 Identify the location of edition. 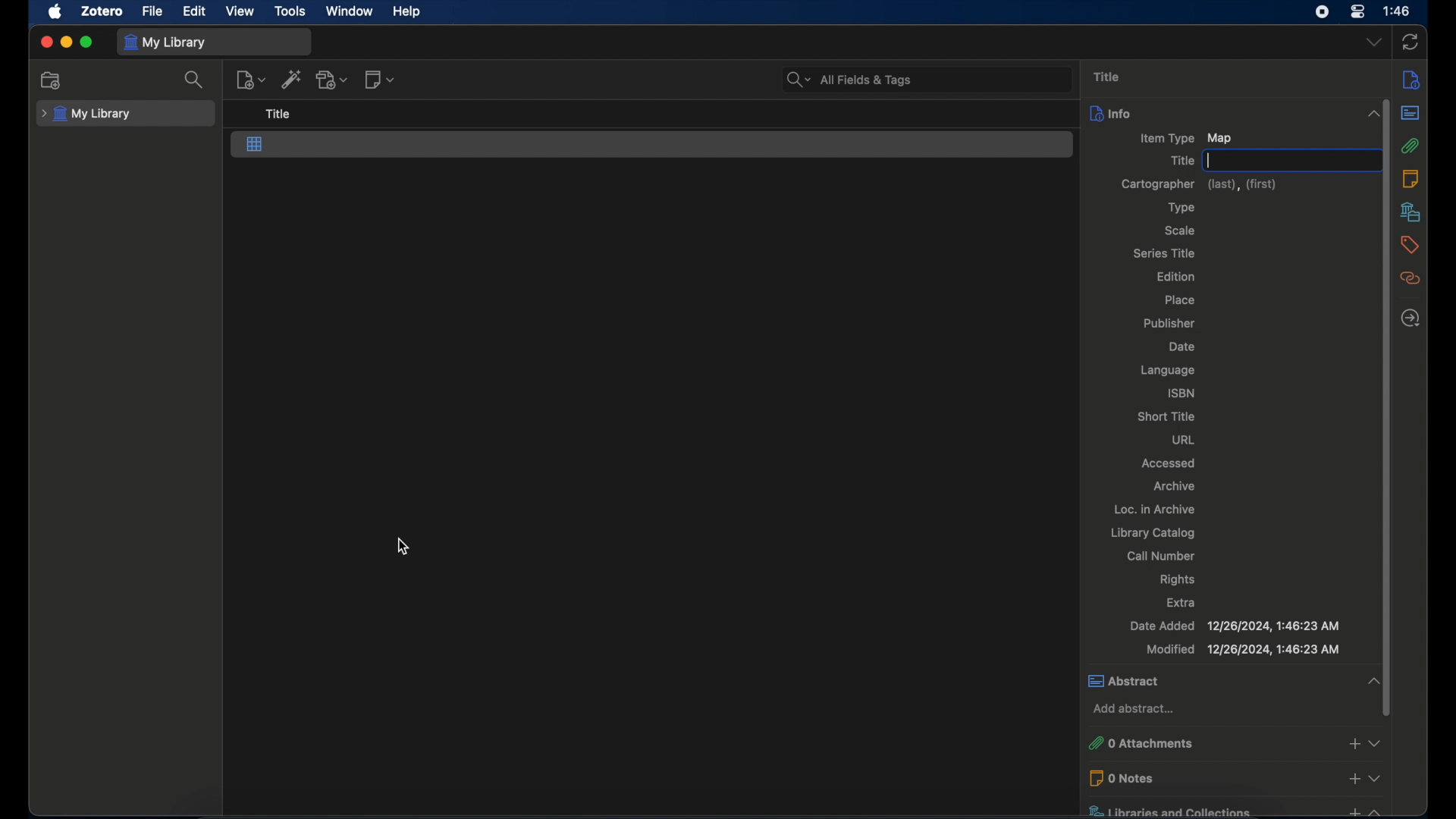
(1177, 276).